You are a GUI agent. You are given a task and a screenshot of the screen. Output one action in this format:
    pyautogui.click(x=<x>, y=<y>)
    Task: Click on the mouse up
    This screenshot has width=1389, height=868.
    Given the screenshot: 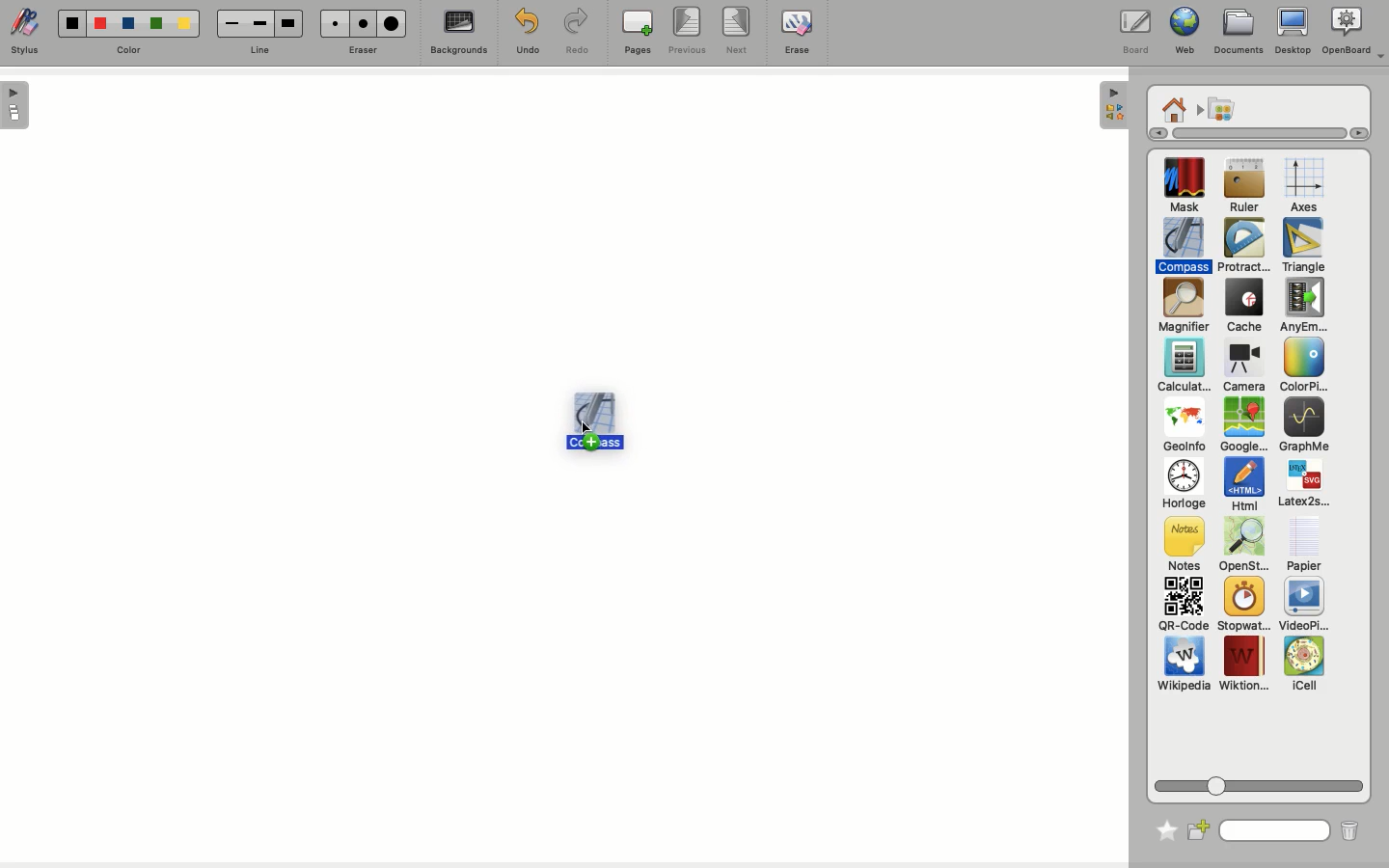 What is the action you would take?
    pyautogui.click(x=587, y=427)
    